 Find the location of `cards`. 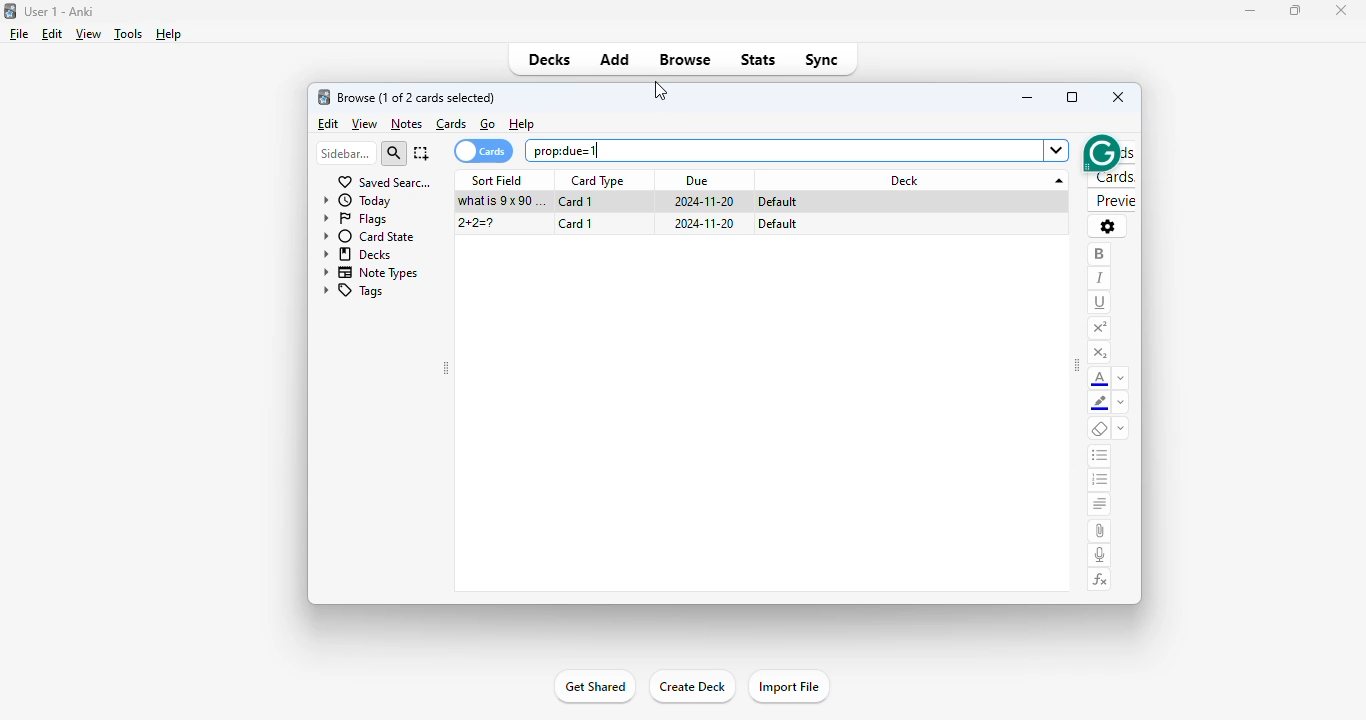

cards is located at coordinates (482, 151).